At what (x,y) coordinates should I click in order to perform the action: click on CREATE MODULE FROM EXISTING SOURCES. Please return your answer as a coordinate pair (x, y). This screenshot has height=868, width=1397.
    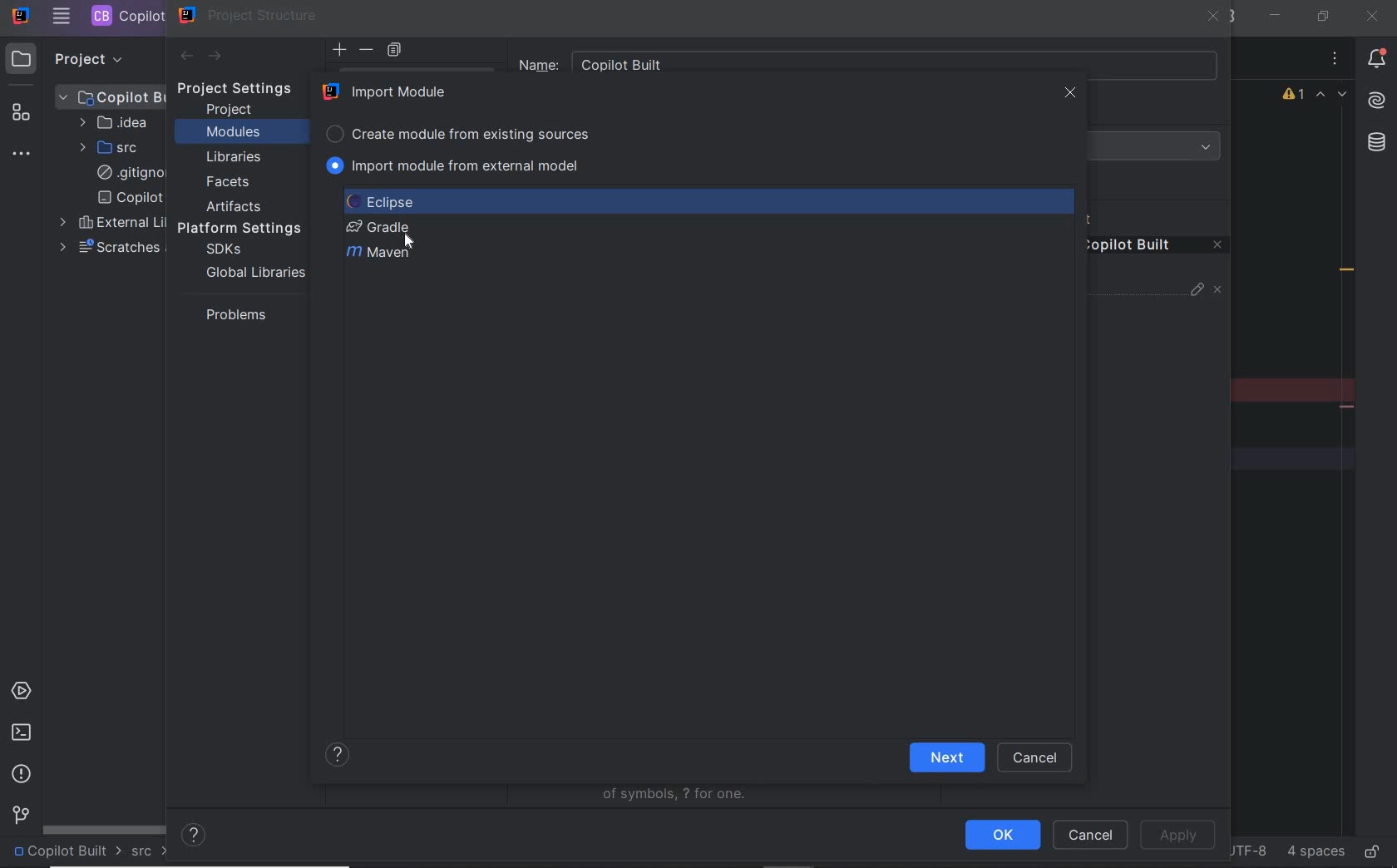
    Looking at the image, I should click on (462, 131).